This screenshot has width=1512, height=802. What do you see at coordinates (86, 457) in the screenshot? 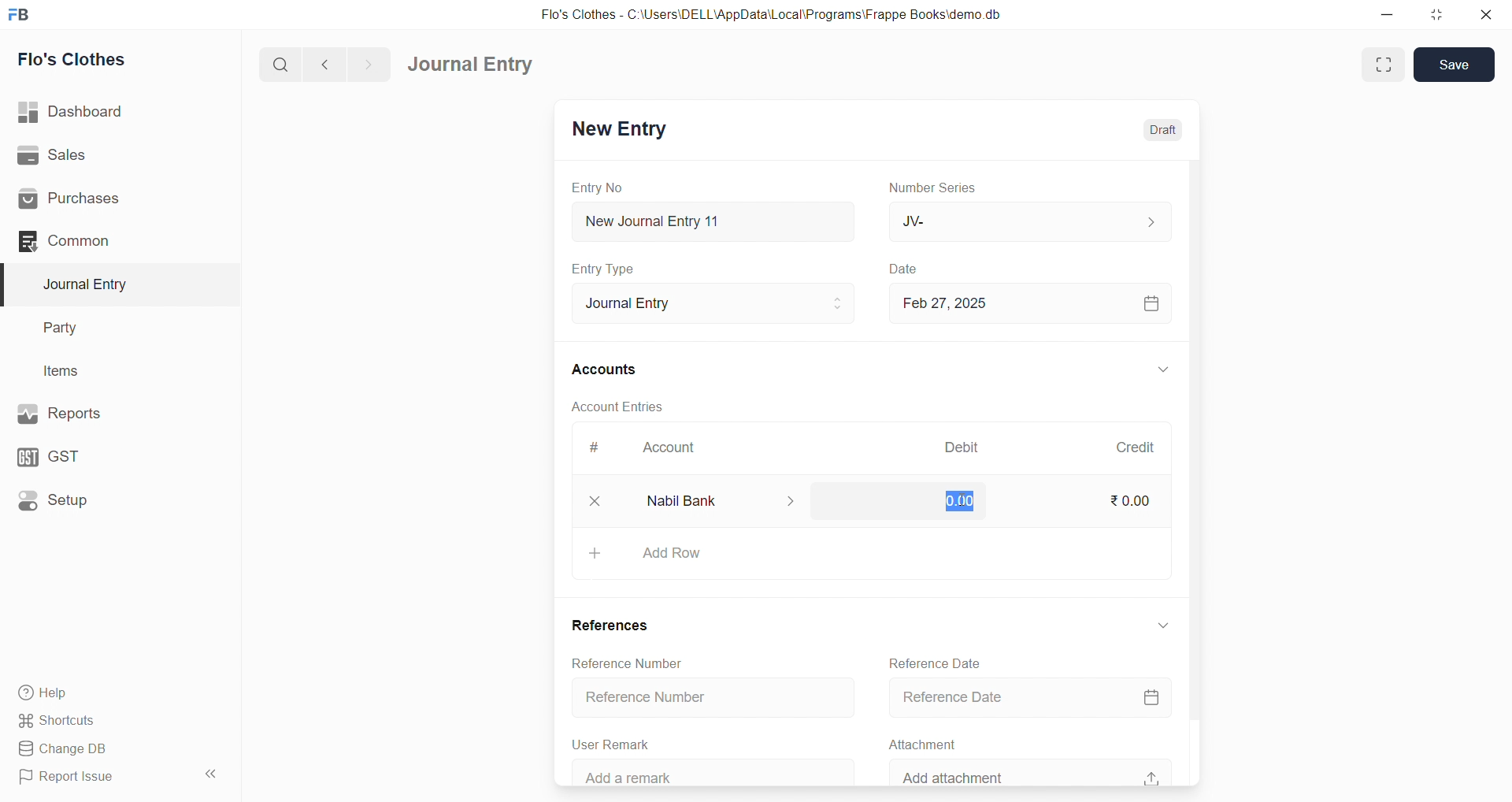
I see `GST` at bounding box center [86, 457].